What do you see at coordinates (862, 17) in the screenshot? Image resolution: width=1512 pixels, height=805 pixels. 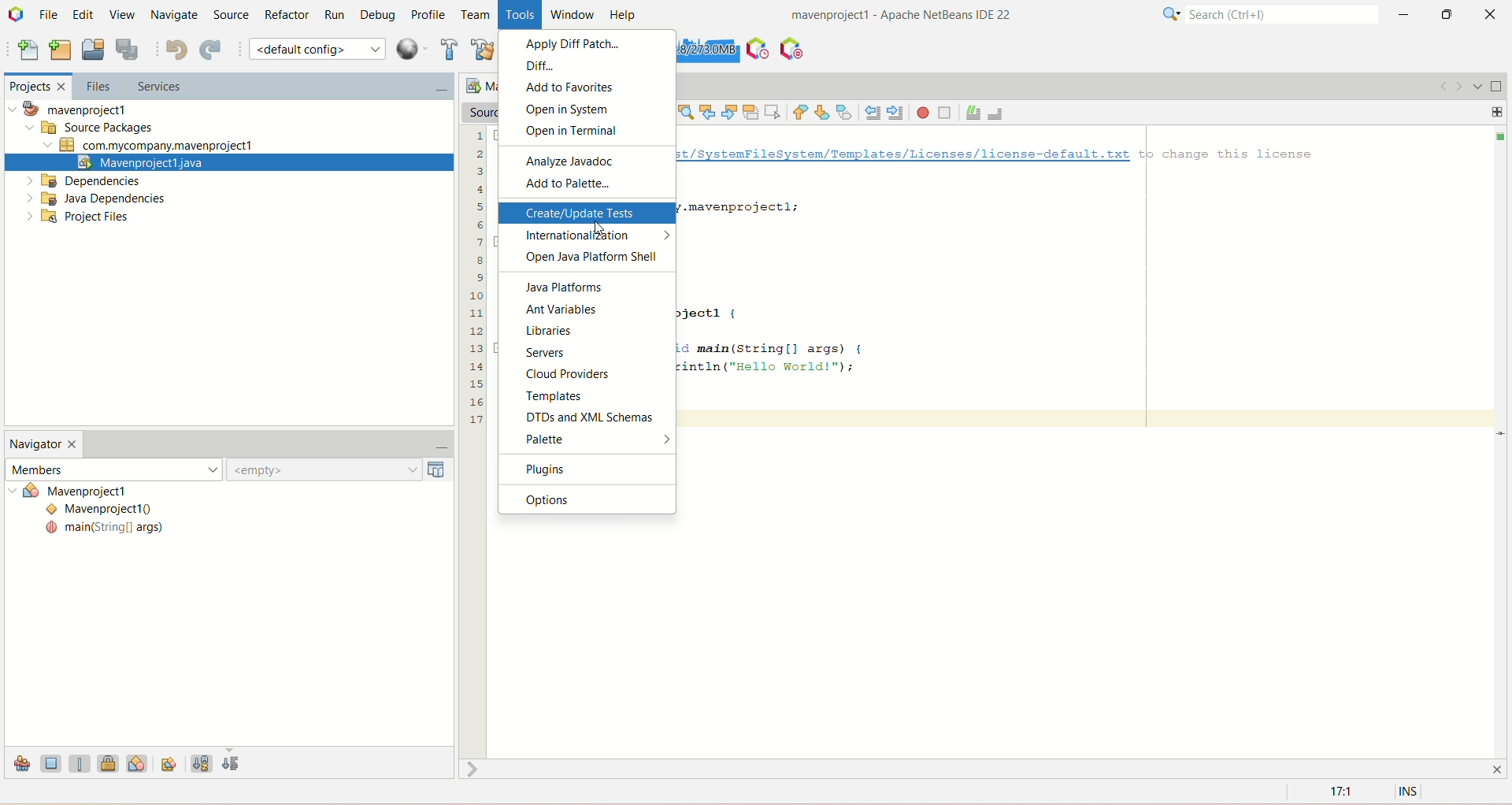 I see `mavenproject1-Apache NetBeans IDE22` at bounding box center [862, 17].